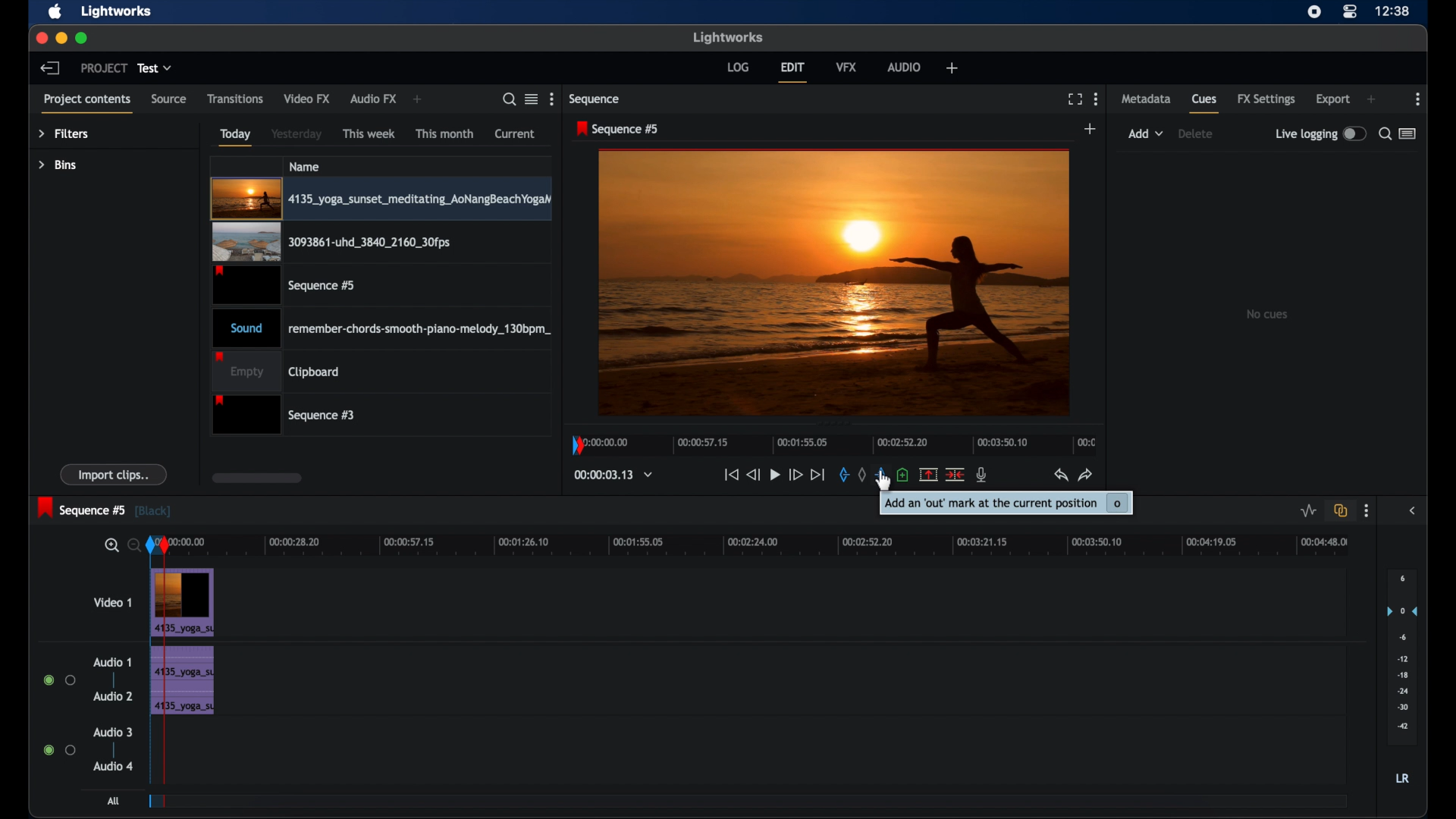  What do you see at coordinates (1403, 778) in the screenshot?
I see `lr` at bounding box center [1403, 778].